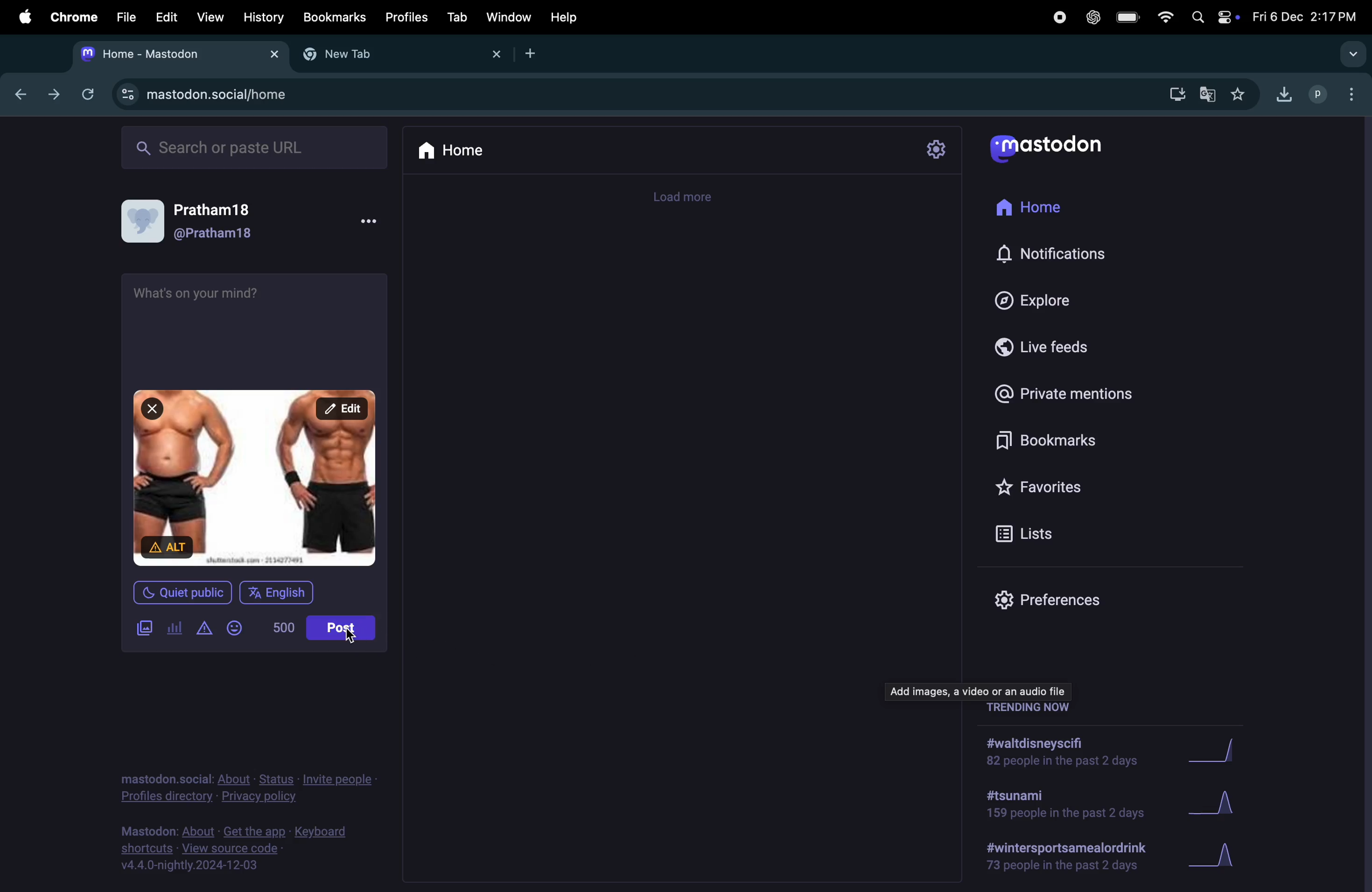 This screenshot has width=1372, height=892. Describe the element at coordinates (1051, 598) in the screenshot. I see `Prefrences` at that location.